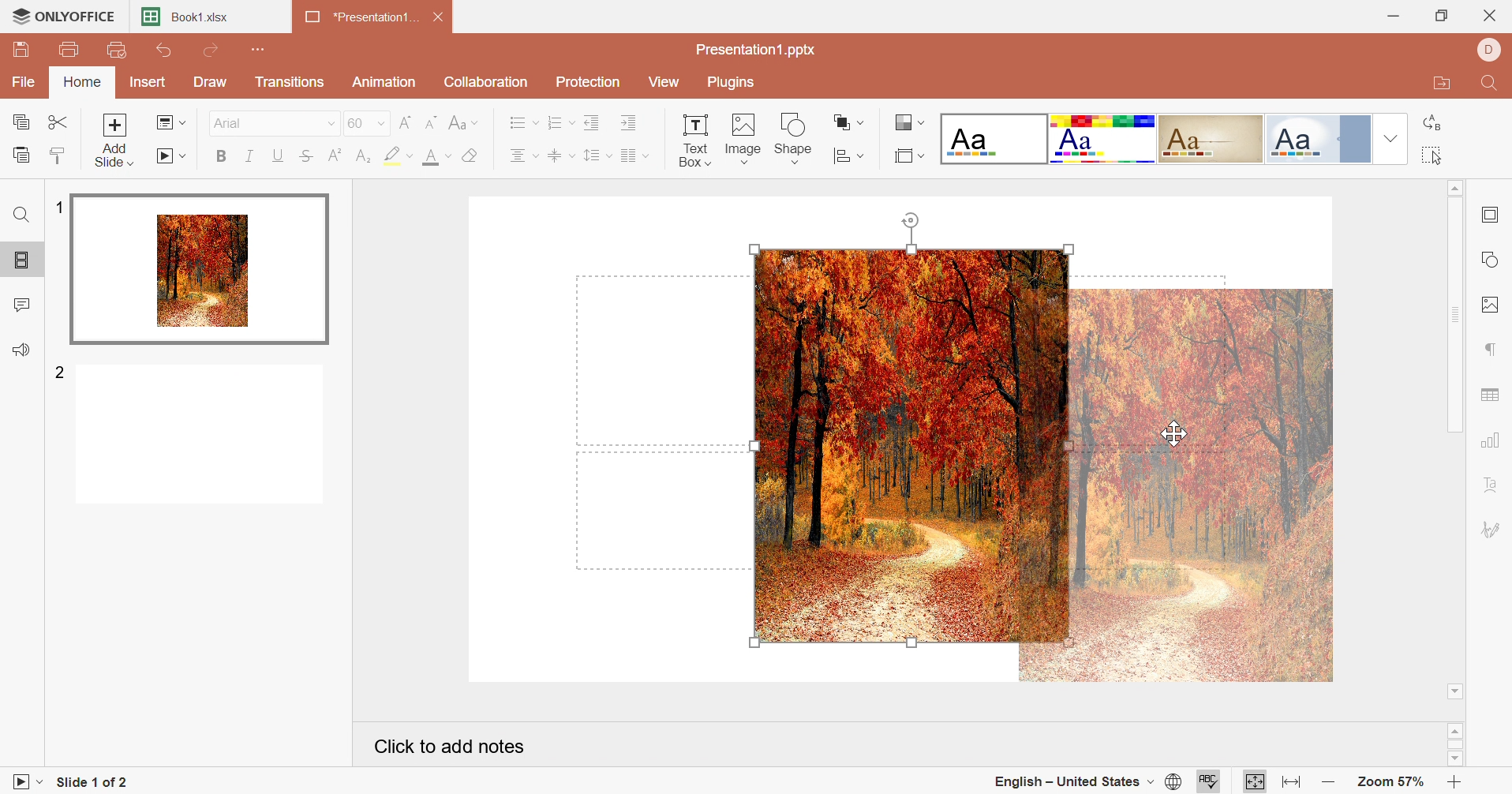 This screenshot has width=1512, height=794. What do you see at coordinates (273, 124) in the screenshot?
I see `Arial` at bounding box center [273, 124].